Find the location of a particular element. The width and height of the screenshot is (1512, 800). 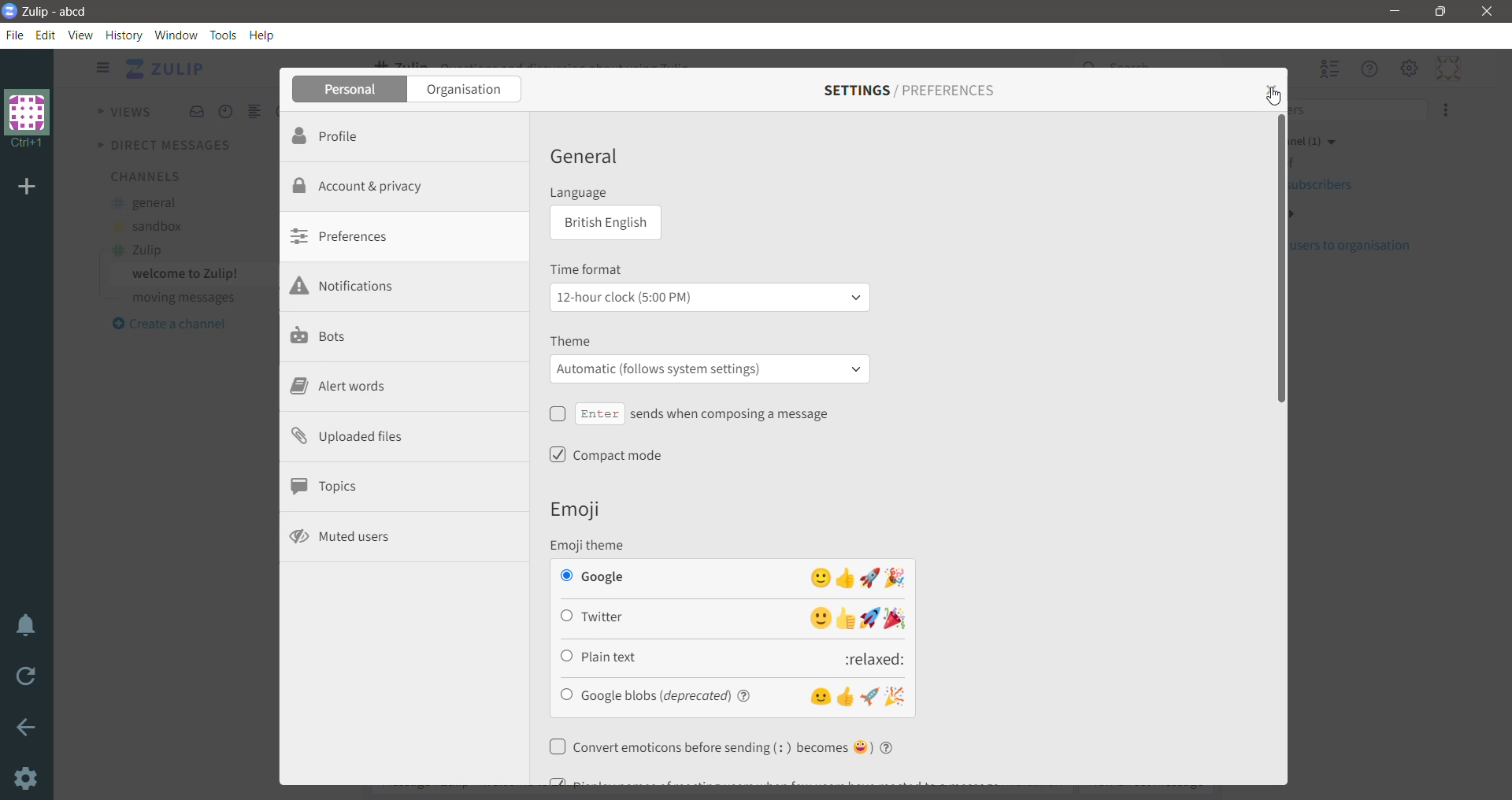

Create a channel is located at coordinates (172, 324).